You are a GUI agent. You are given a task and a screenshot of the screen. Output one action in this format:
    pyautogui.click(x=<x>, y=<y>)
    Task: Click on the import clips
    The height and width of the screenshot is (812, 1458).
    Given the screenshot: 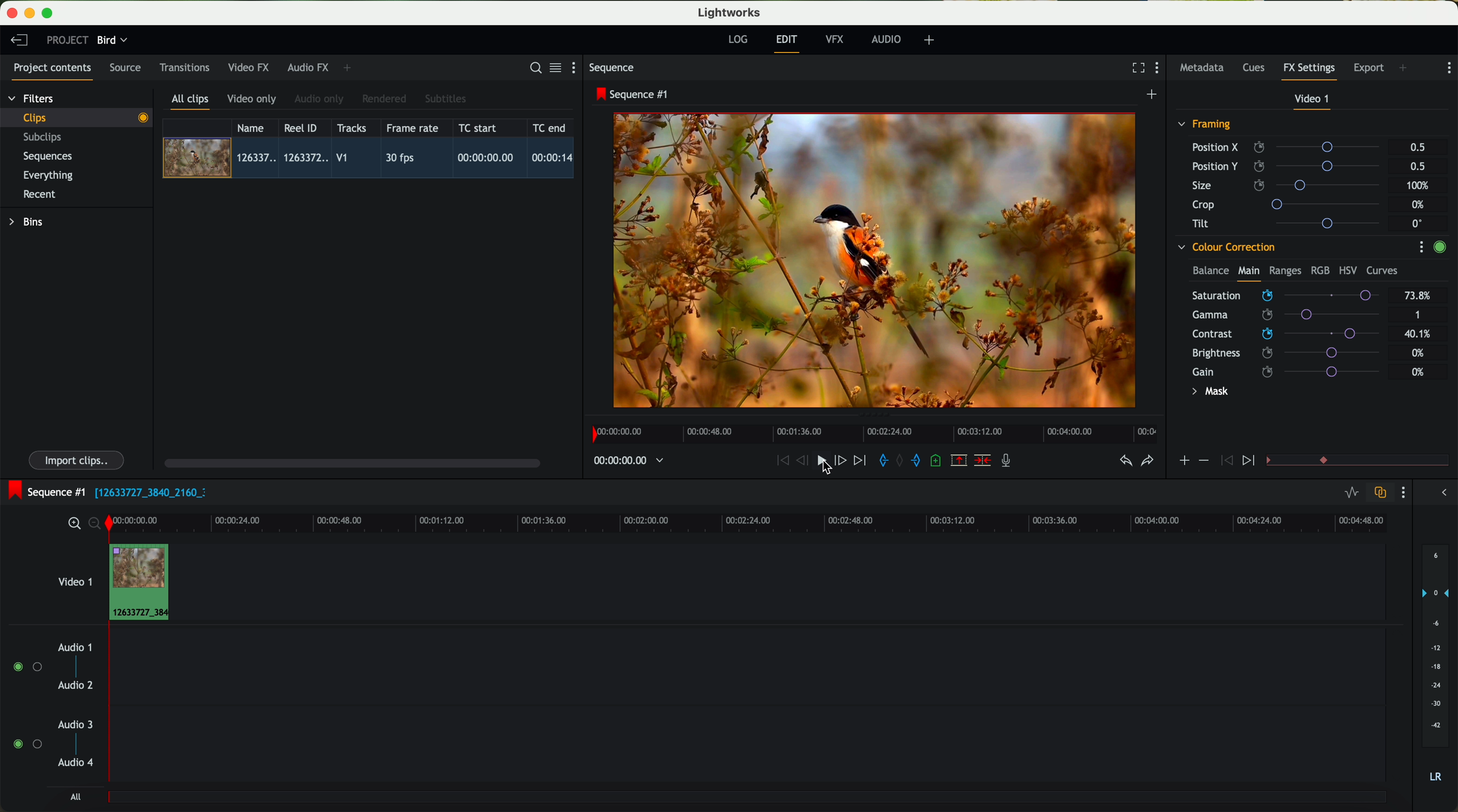 What is the action you would take?
    pyautogui.click(x=78, y=459)
    